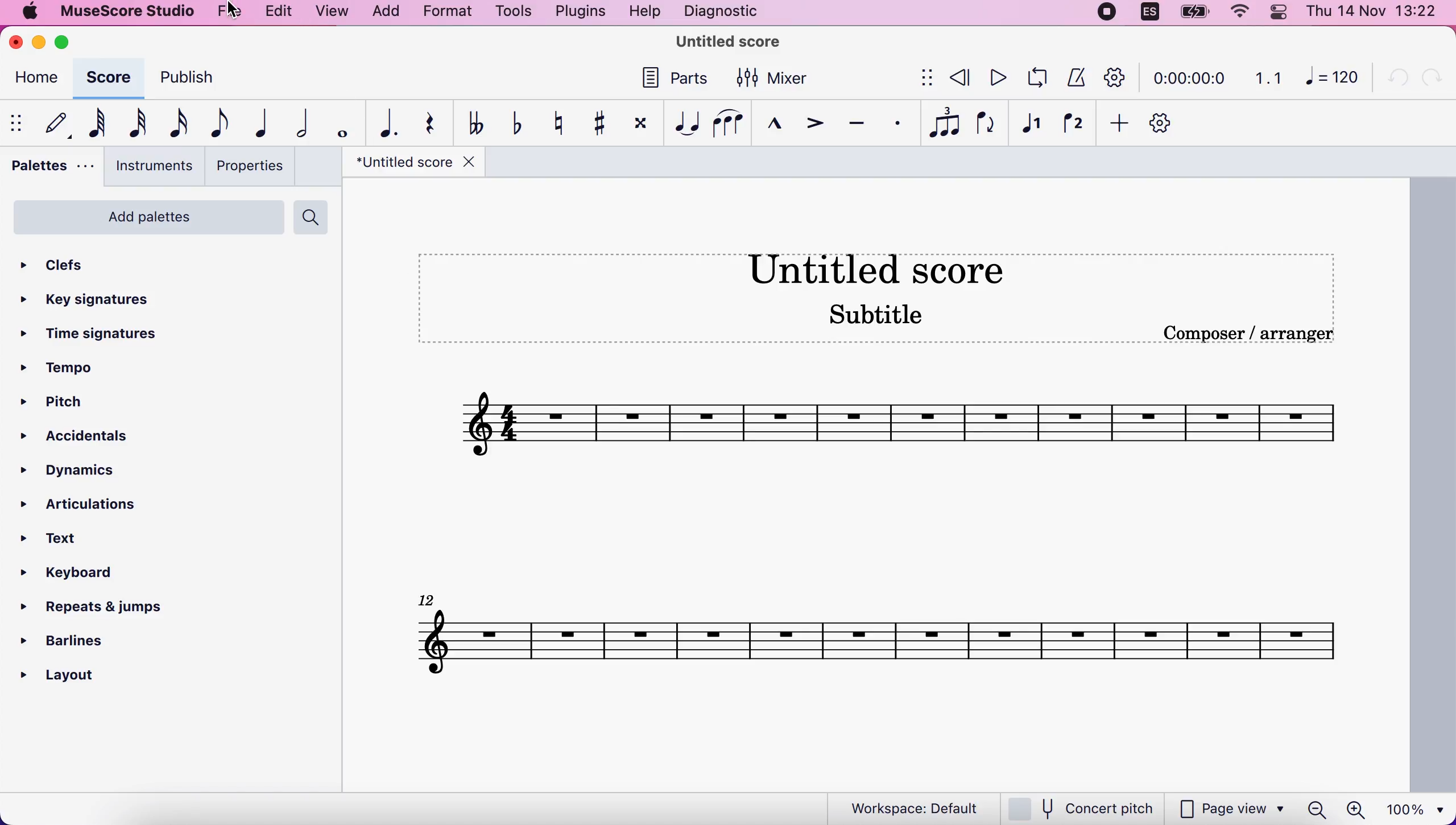 This screenshot has width=1456, height=825. What do you see at coordinates (726, 125) in the screenshot?
I see `slur` at bounding box center [726, 125].